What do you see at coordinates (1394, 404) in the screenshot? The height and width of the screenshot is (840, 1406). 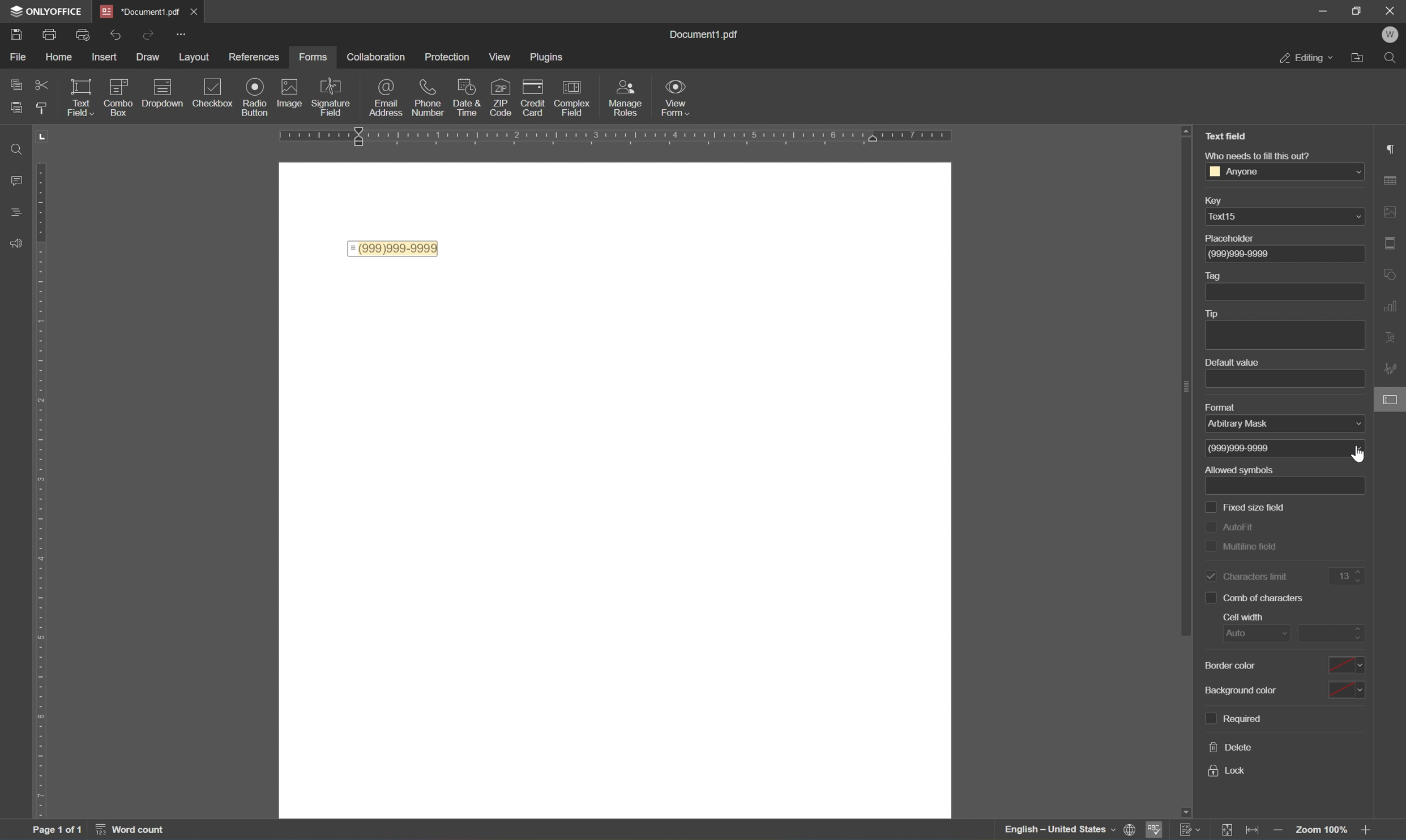 I see `cursor` at bounding box center [1394, 404].